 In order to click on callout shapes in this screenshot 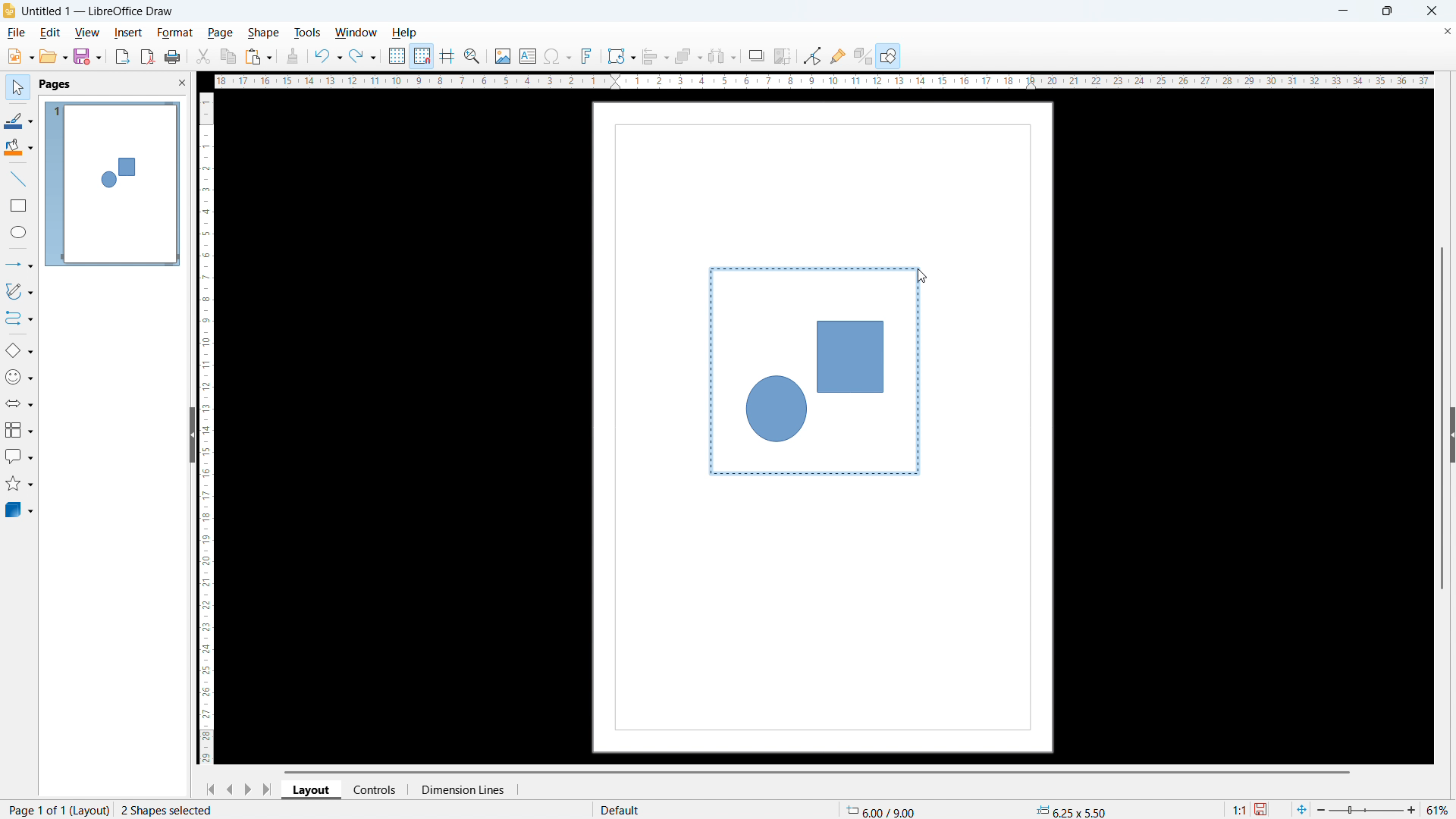, I will do `click(18, 457)`.